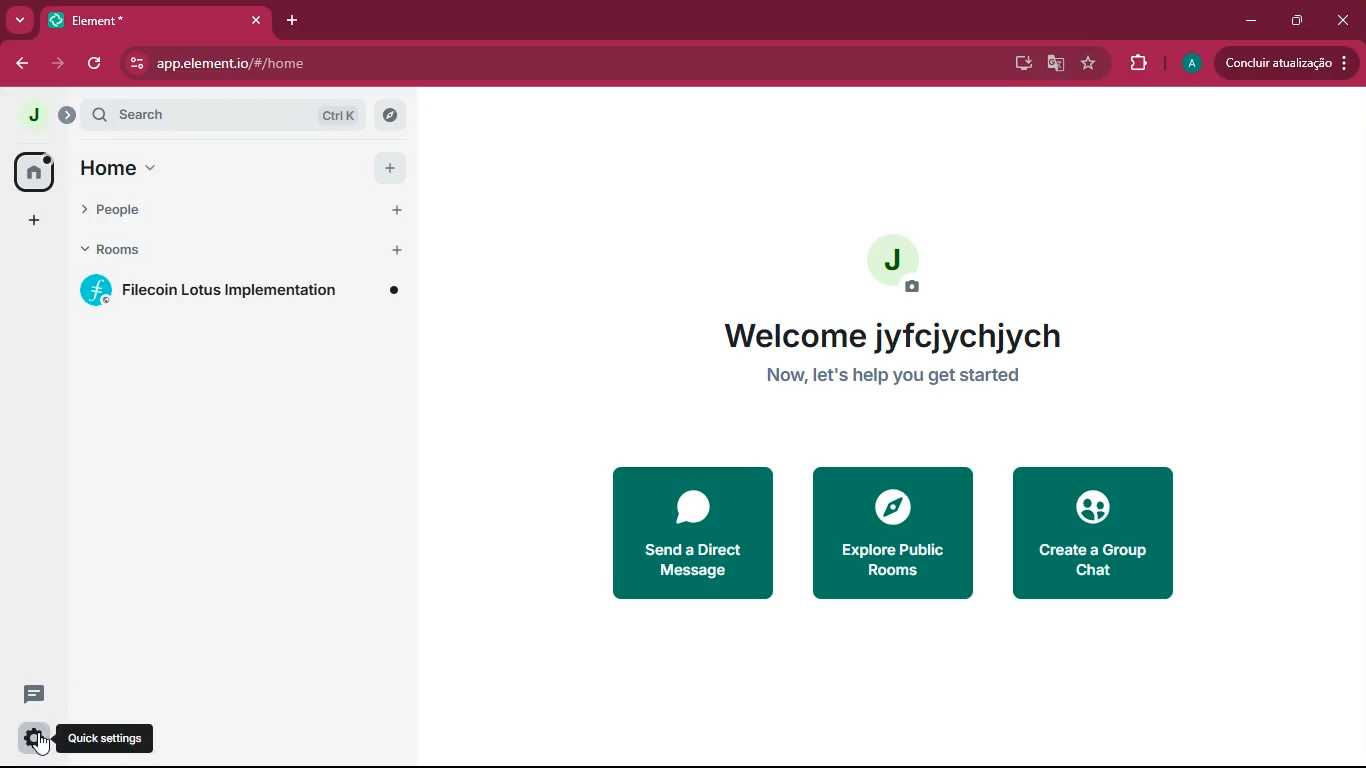 The height and width of the screenshot is (768, 1366). I want to click on start chat, so click(397, 209).